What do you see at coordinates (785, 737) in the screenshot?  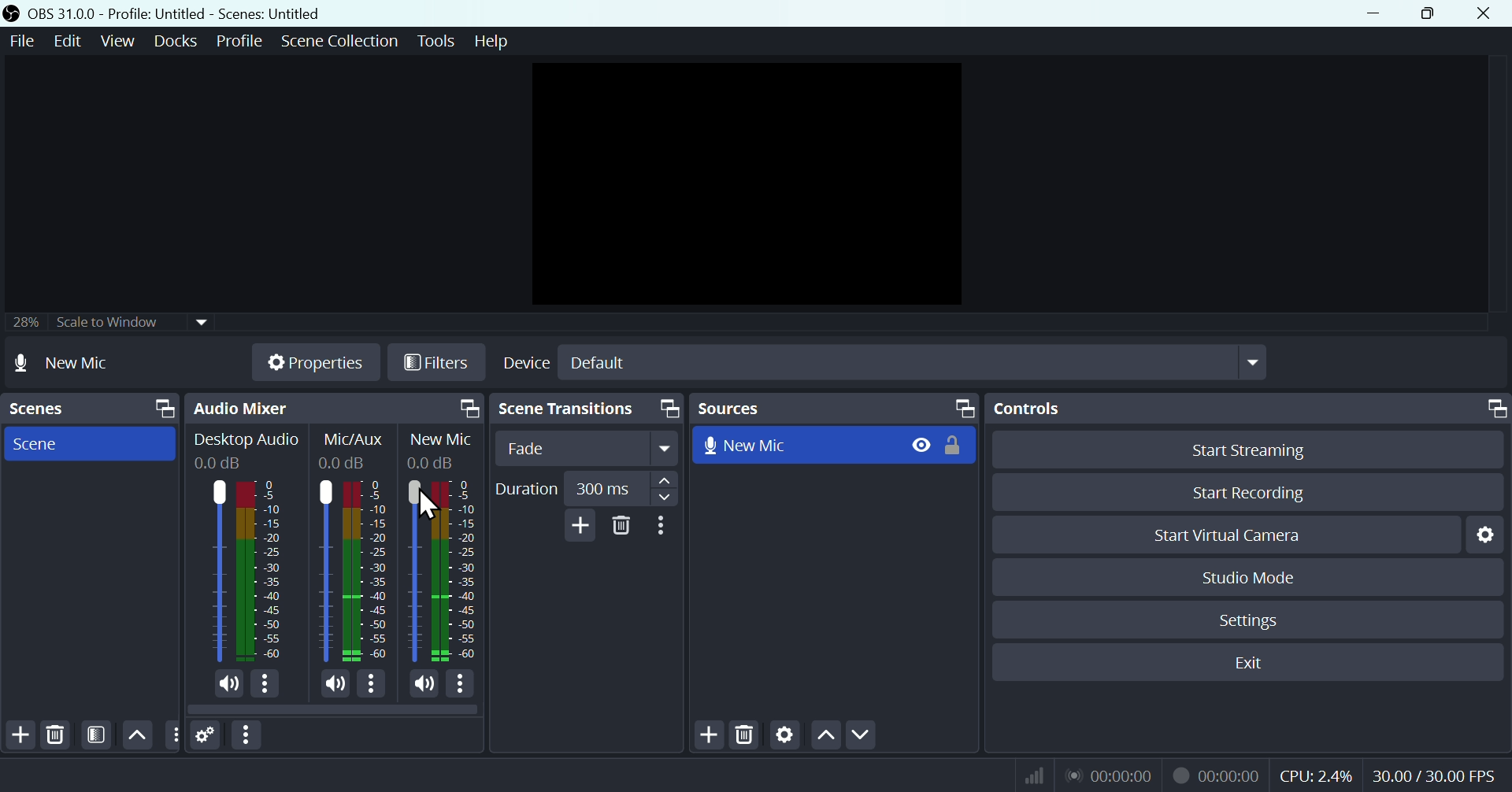 I see `Settings` at bounding box center [785, 737].